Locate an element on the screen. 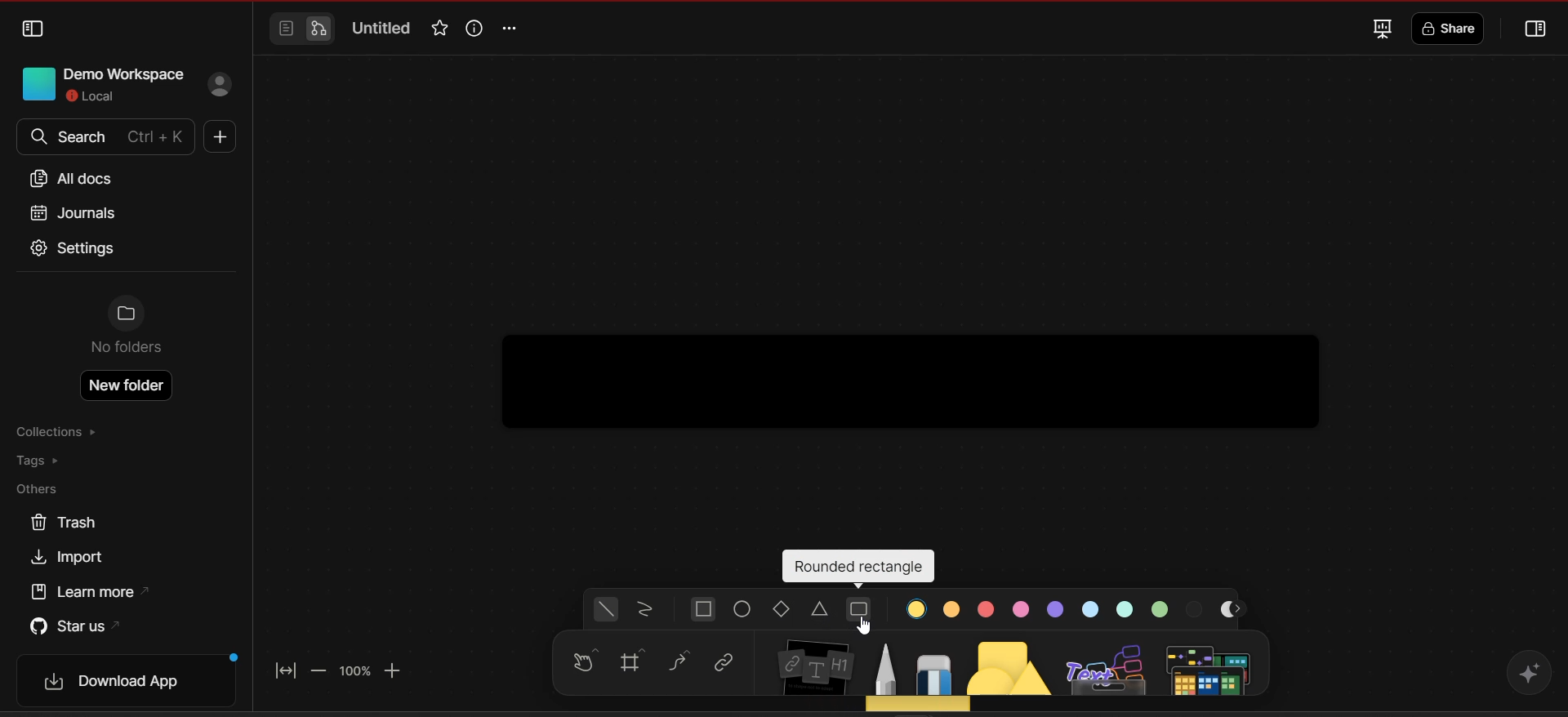 This screenshot has height=717, width=1568. import is located at coordinates (73, 558).